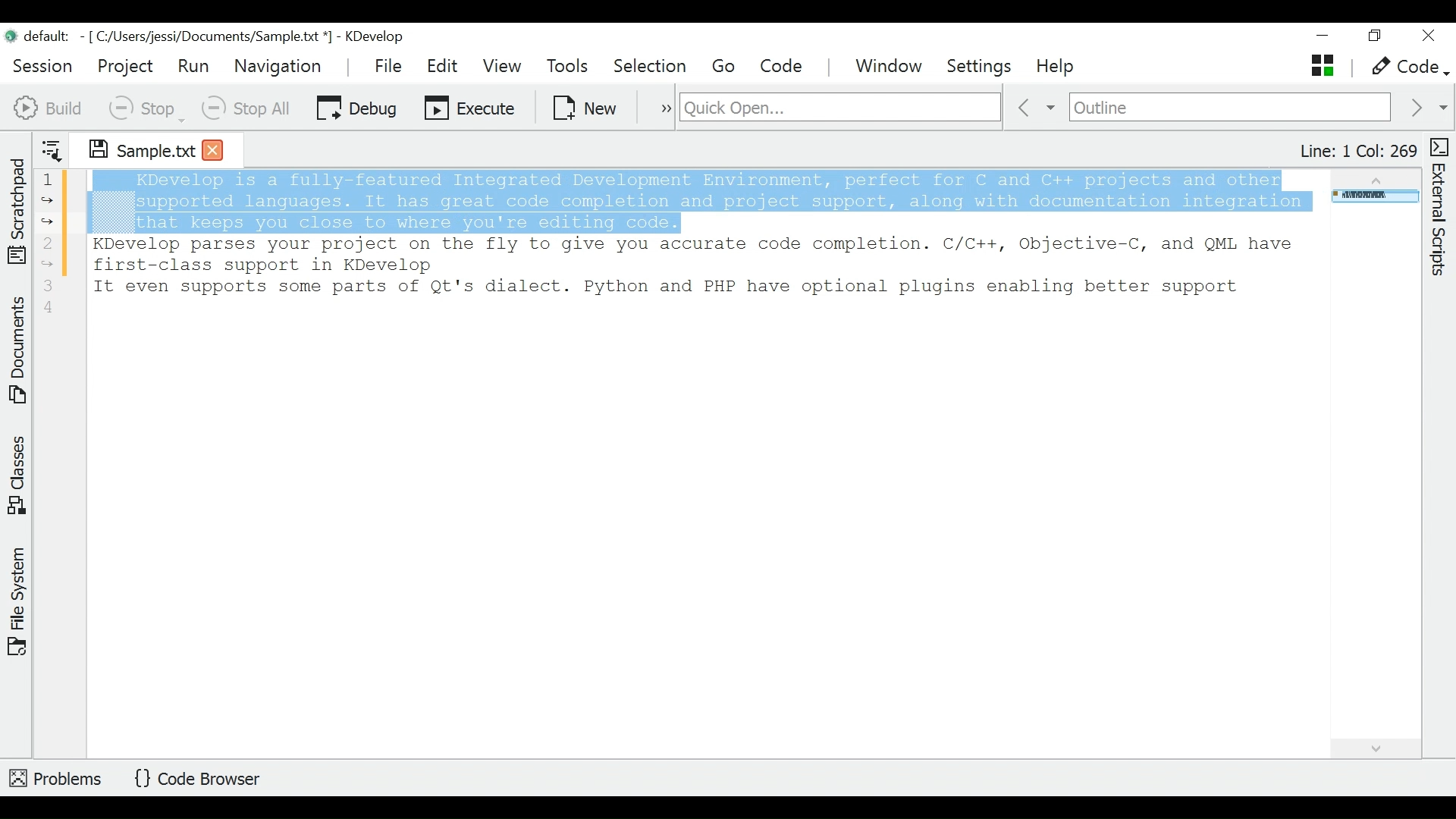 This screenshot has height=819, width=1456. I want to click on Help, so click(1057, 67).